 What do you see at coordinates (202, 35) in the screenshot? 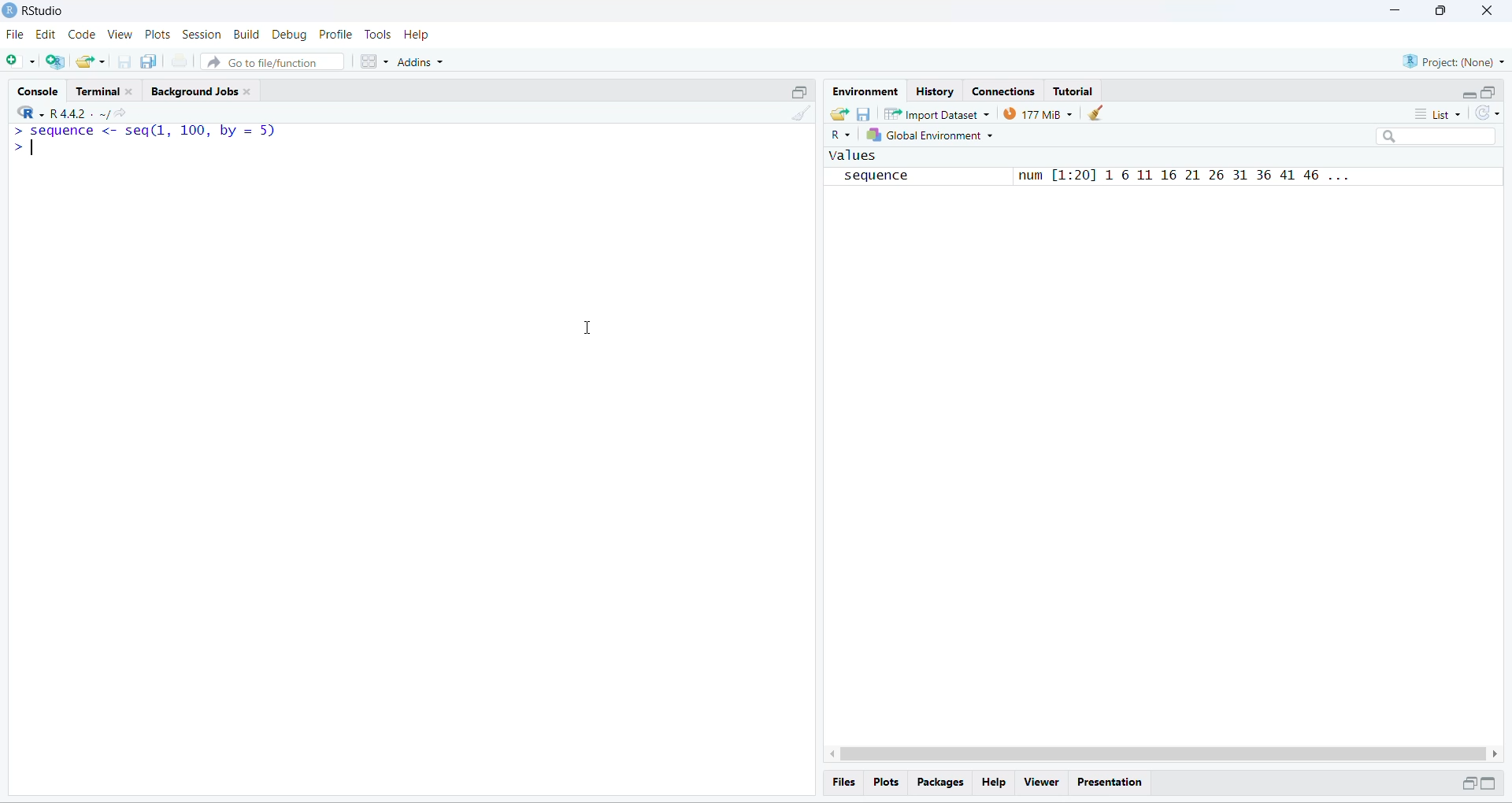
I see `session` at bounding box center [202, 35].